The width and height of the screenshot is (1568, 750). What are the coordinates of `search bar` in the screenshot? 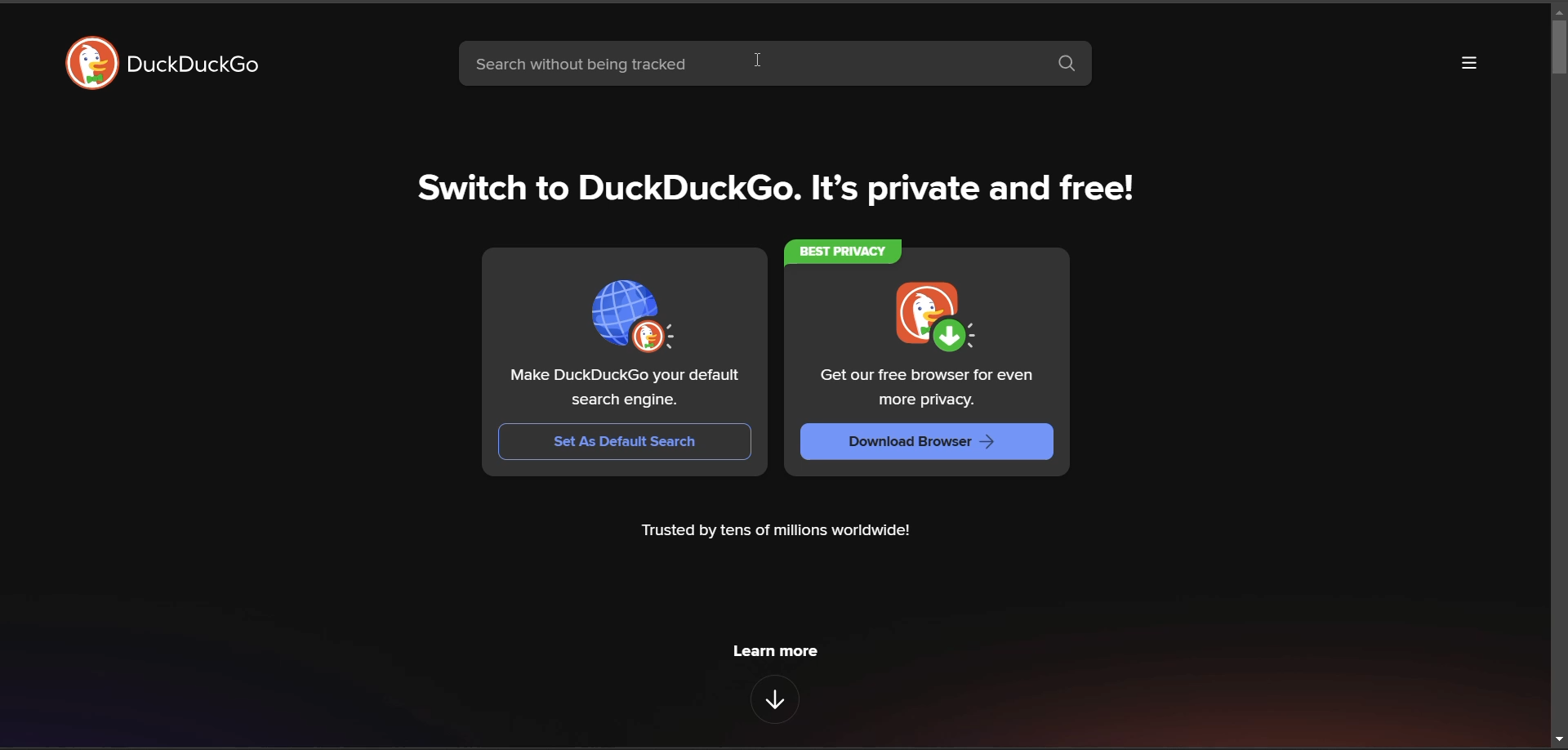 It's located at (746, 66).